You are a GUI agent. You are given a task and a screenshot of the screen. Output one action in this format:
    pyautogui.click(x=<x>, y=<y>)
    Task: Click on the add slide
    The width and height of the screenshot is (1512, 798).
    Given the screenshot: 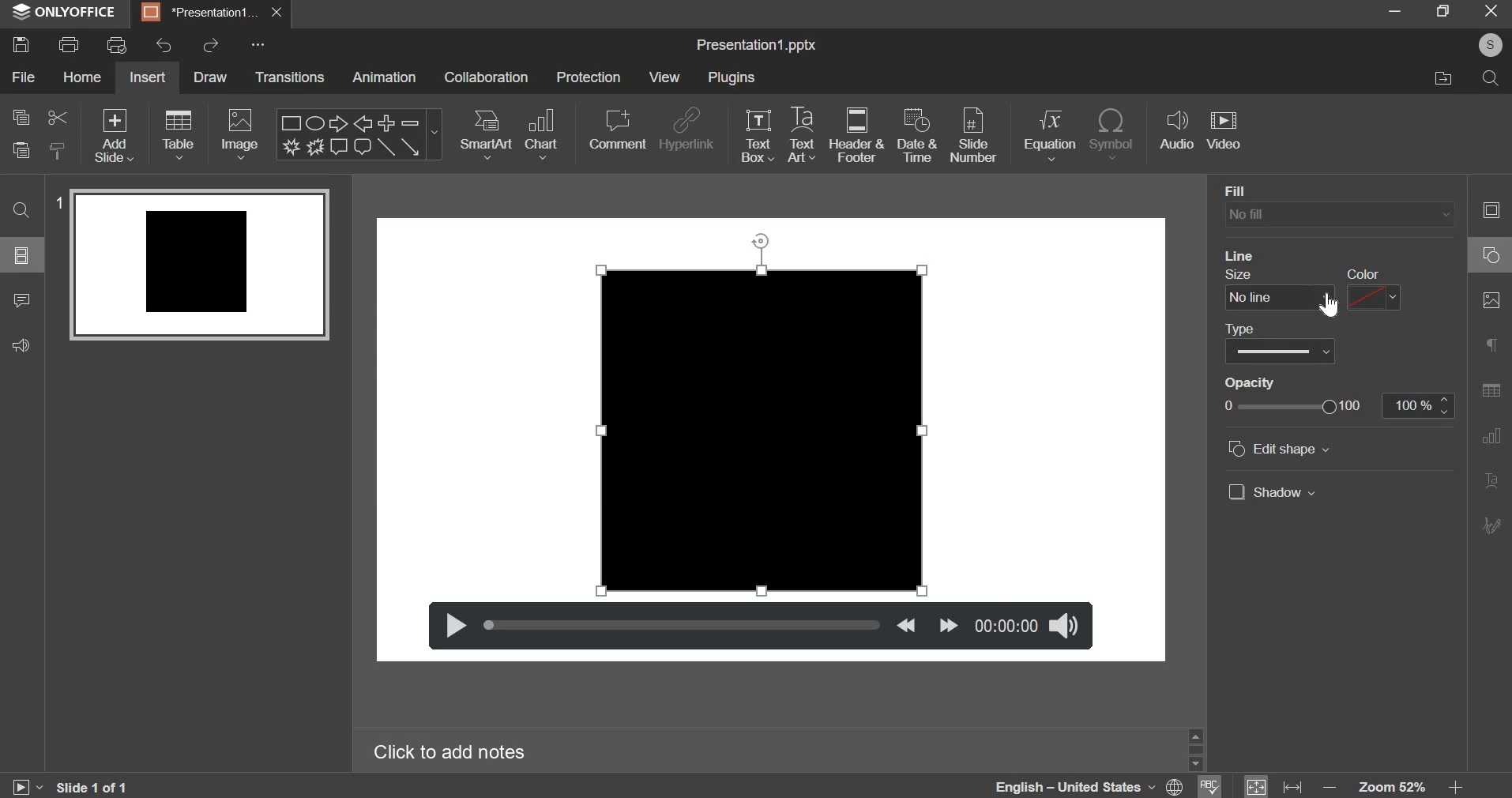 What is the action you would take?
    pyautogui.click(x=111, y=136)
    